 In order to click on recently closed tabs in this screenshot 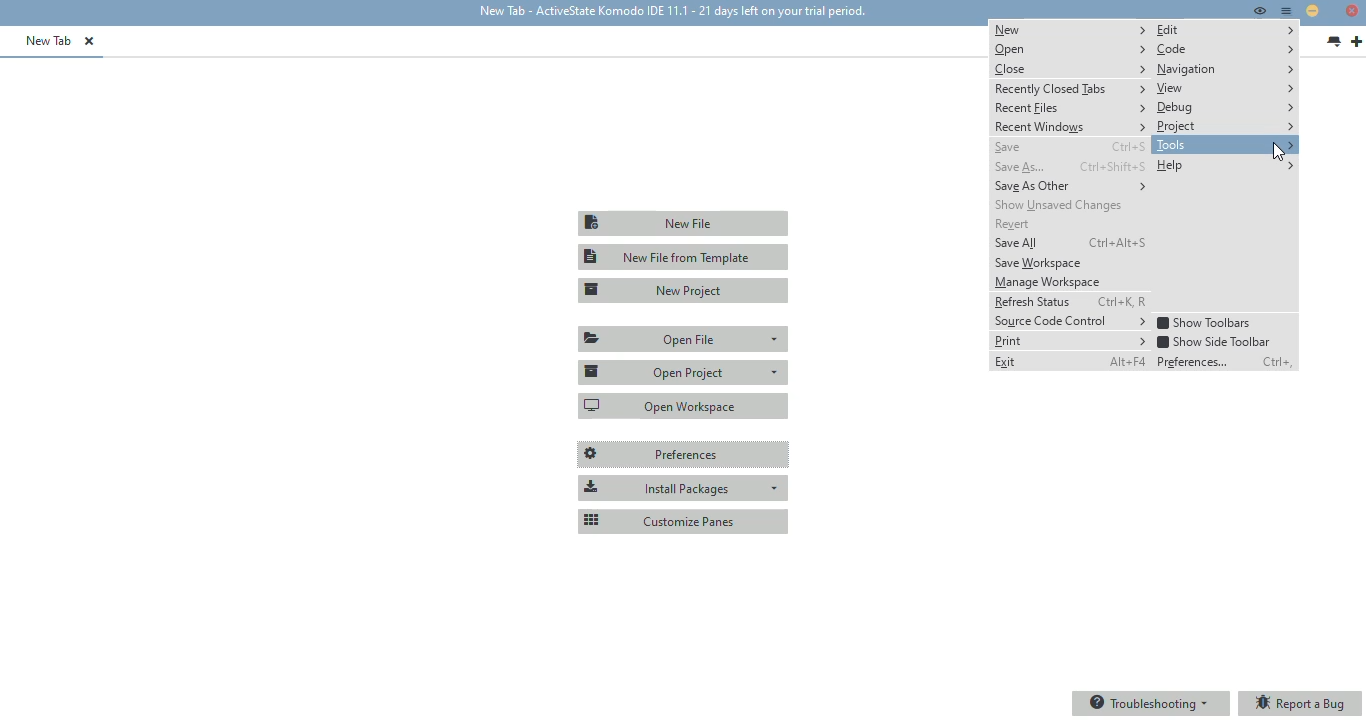, I will do `click(1071, 88)`.